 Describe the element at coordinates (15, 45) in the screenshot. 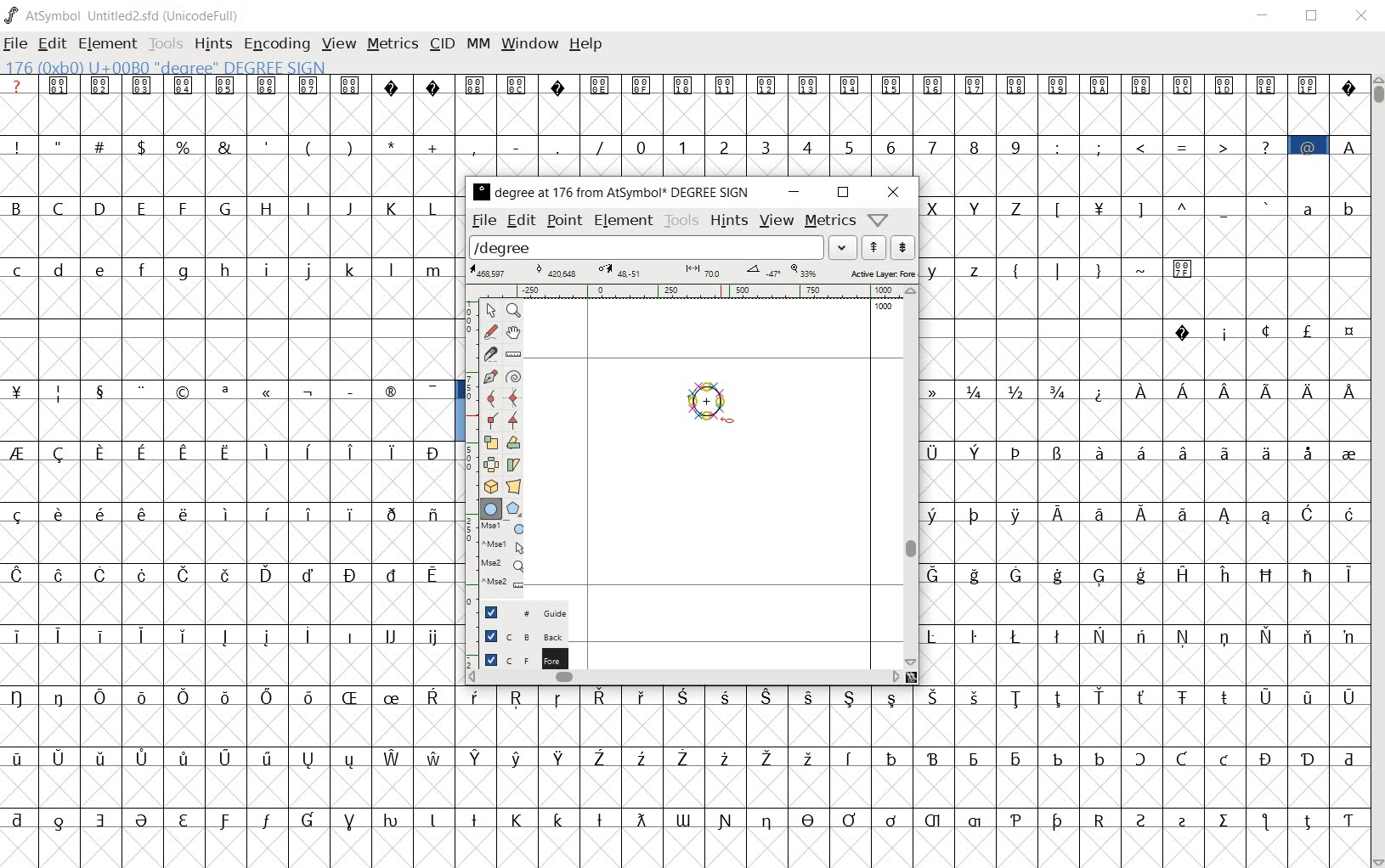

I see `file` at that location.